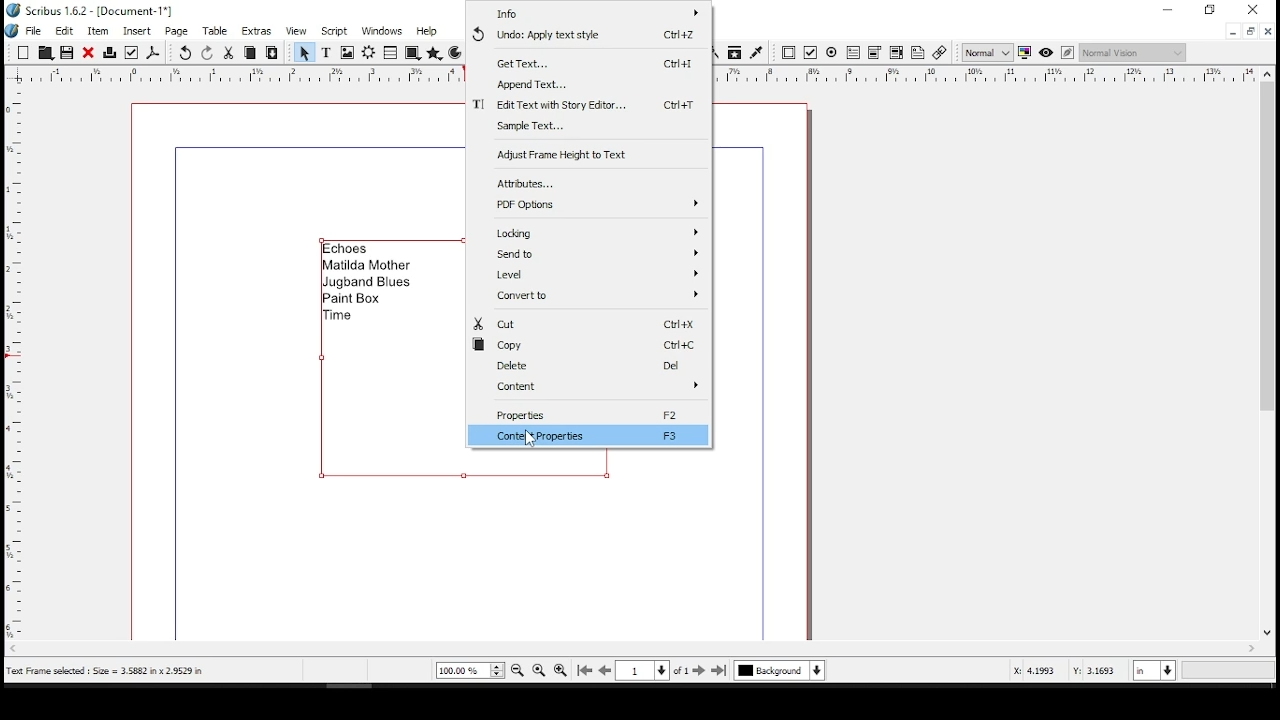 Image resolution: width=1280 pixels, height=720 pixels. What do you see at coordinates (699, 670) in the screenshot?
I see `next page` at bounding box center [699, 670].